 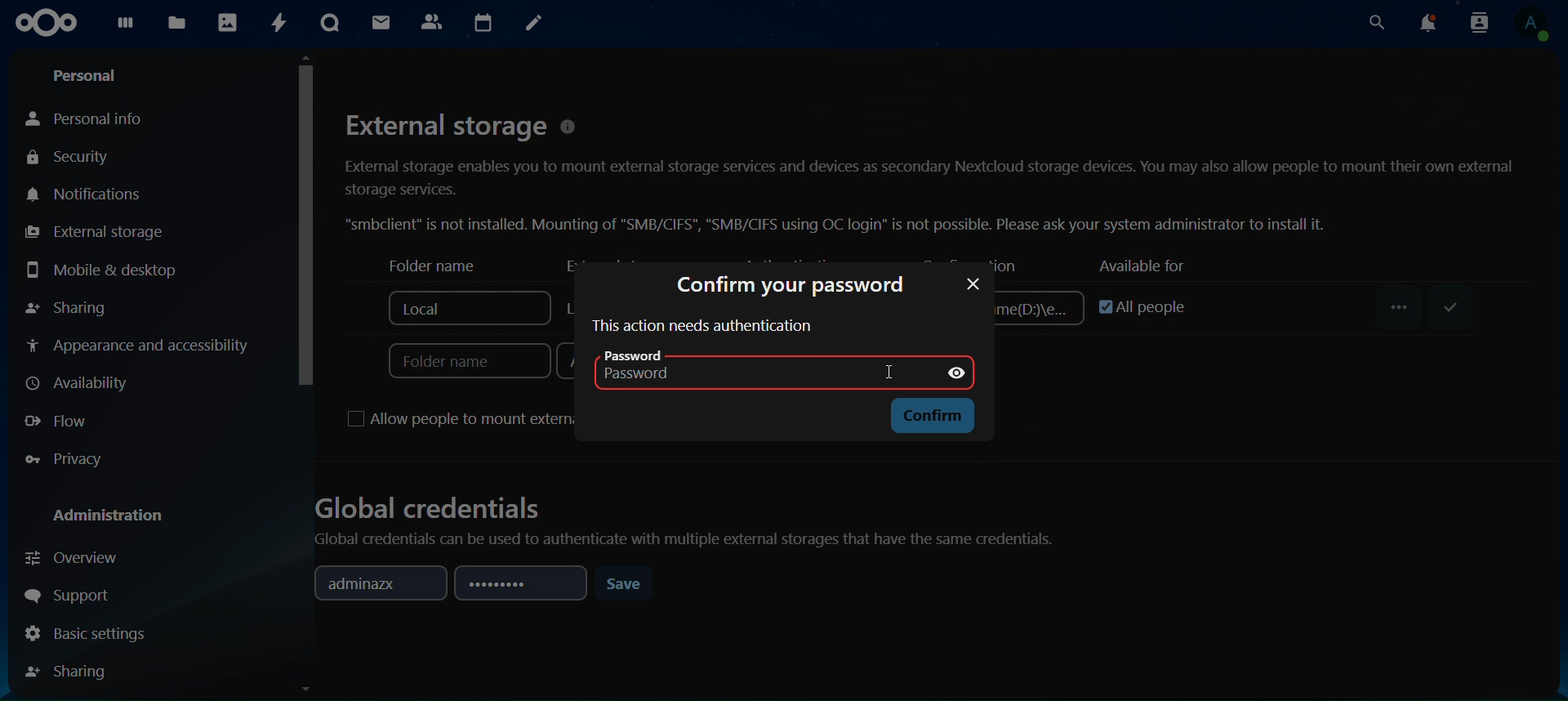 I want to click on notifications, so click(x=84, y=194).